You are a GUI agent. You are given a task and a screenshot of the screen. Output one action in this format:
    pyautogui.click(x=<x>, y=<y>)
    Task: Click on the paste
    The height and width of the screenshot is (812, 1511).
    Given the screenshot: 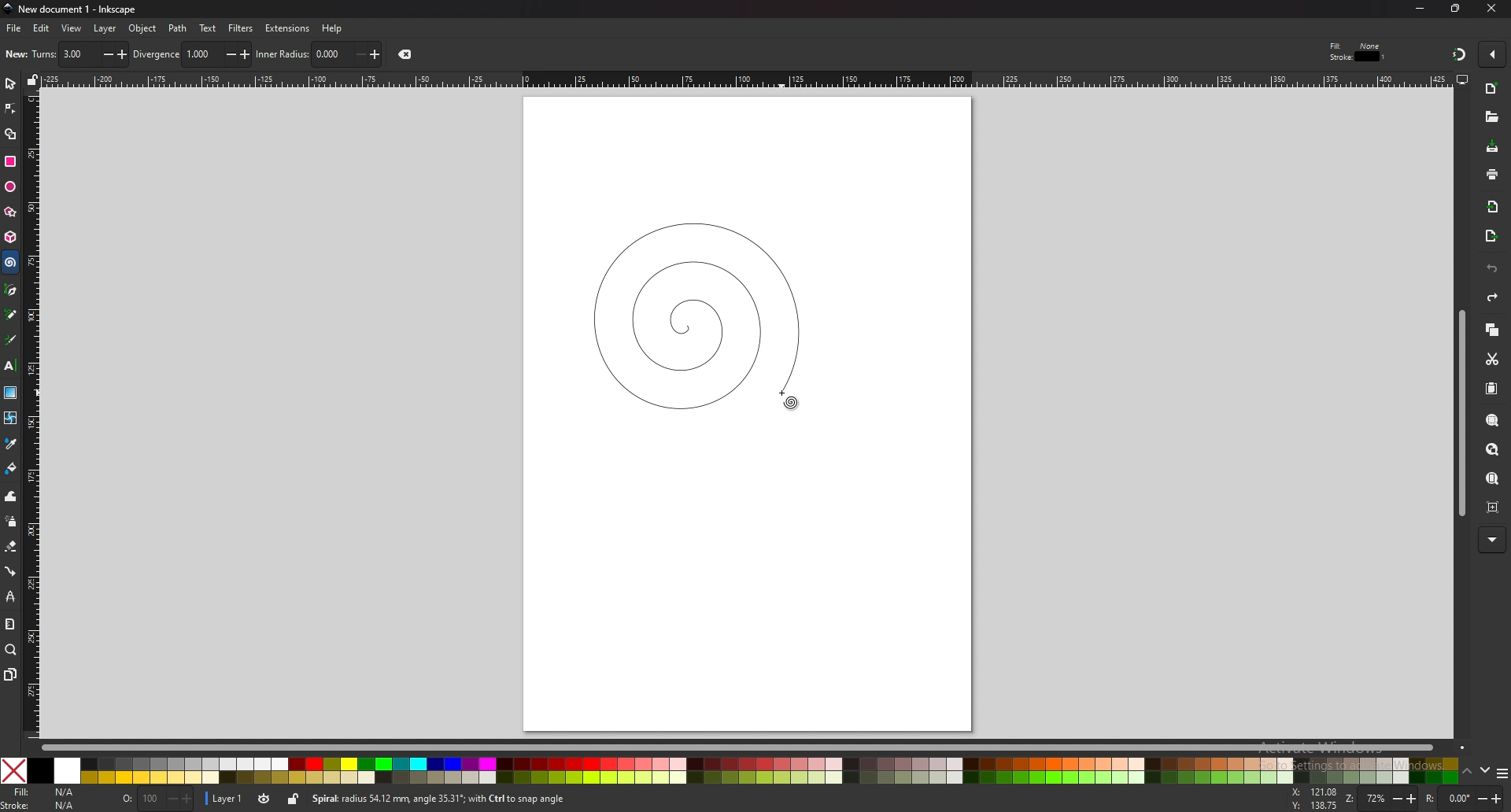 What is the action you would take?
    pyautogui.click(x=1491, y=388)
    